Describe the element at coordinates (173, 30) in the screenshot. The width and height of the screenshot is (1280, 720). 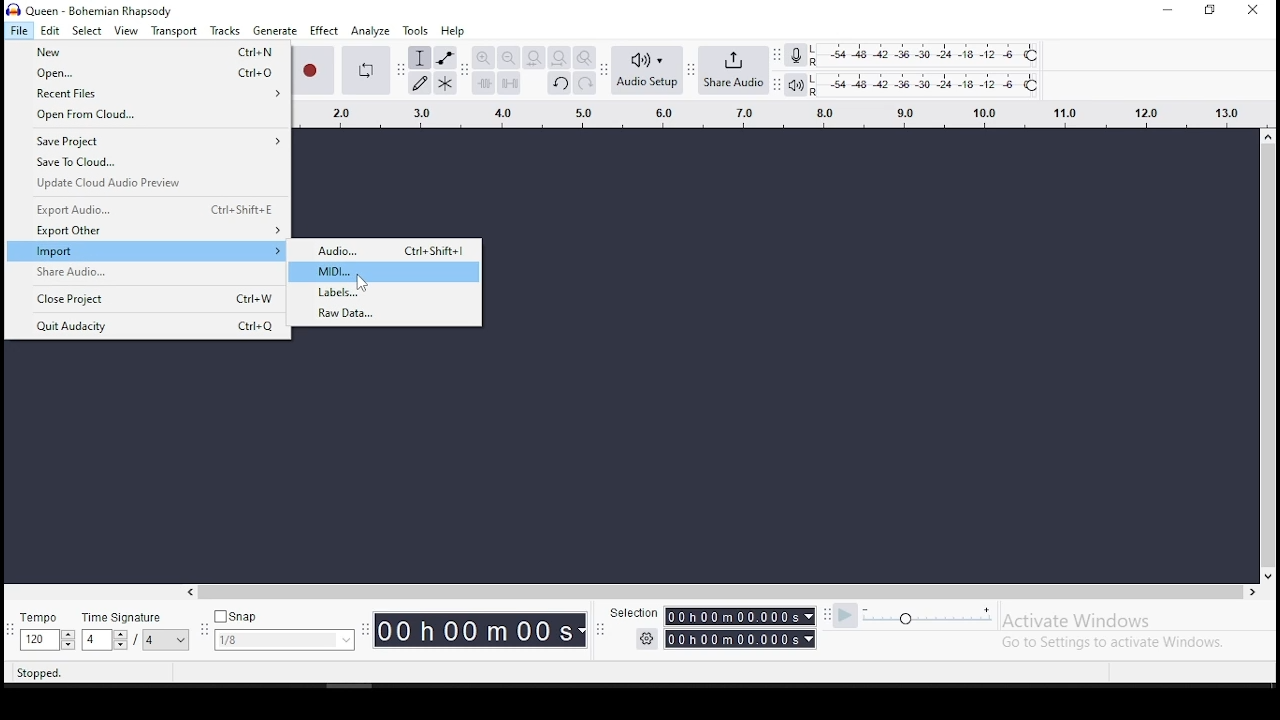
I see `transport` at that location.